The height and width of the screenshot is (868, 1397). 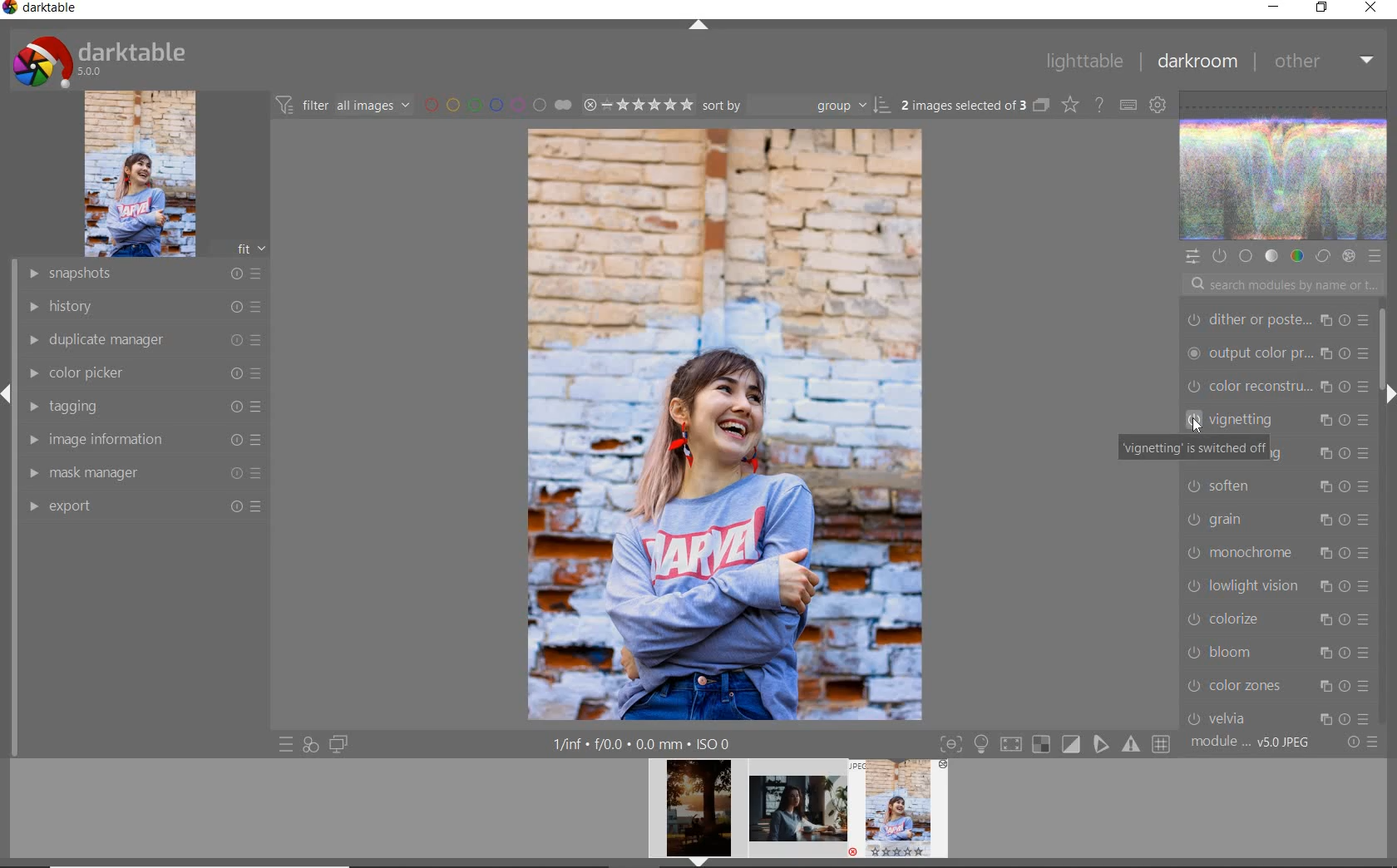 What do you see at coordinates (287, 745) in the screenshot?
I see `quick access to preset` at bounding box center [287, 745].